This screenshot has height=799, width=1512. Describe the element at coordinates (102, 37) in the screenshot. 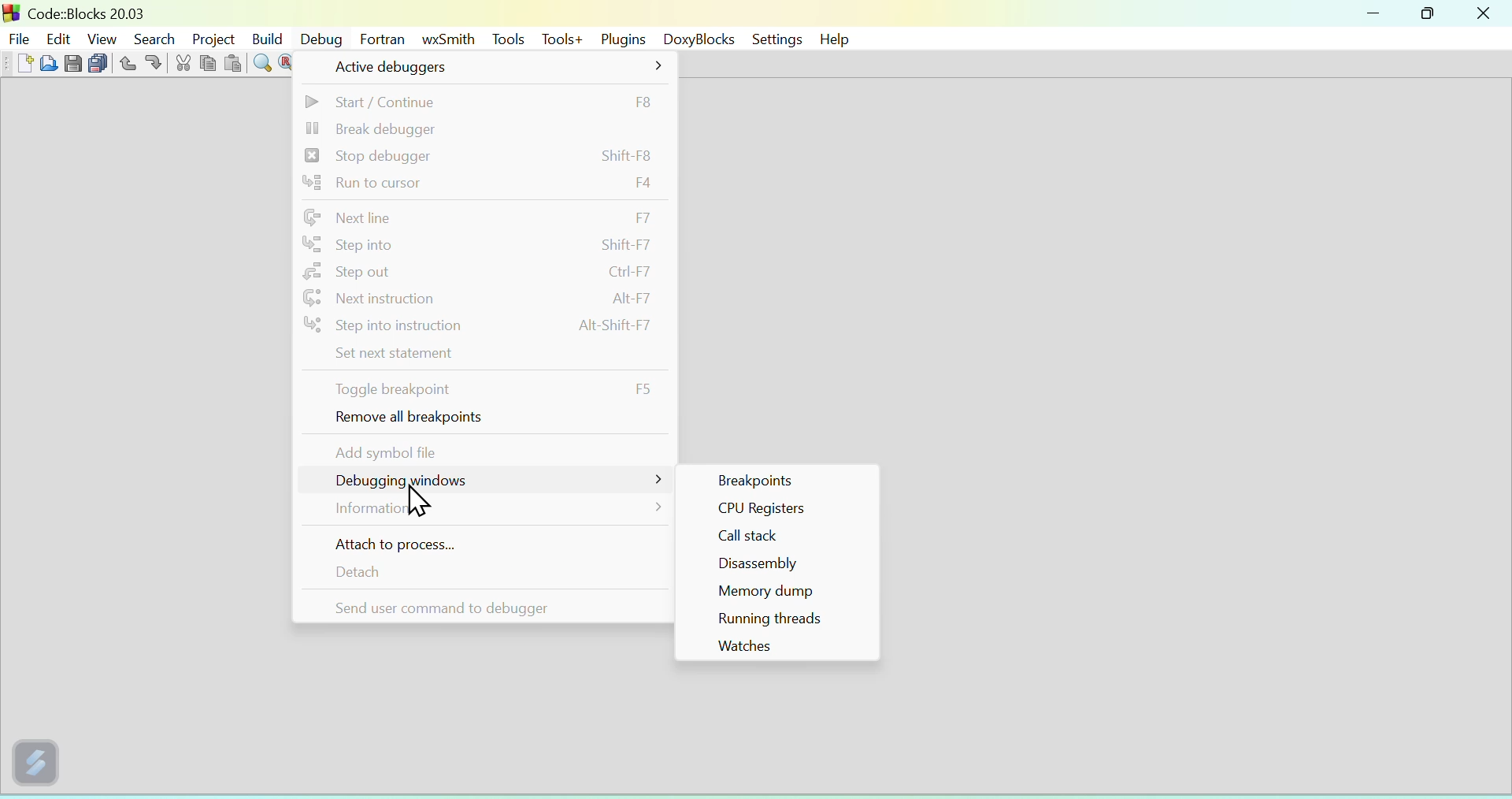

I see `View` at that location.